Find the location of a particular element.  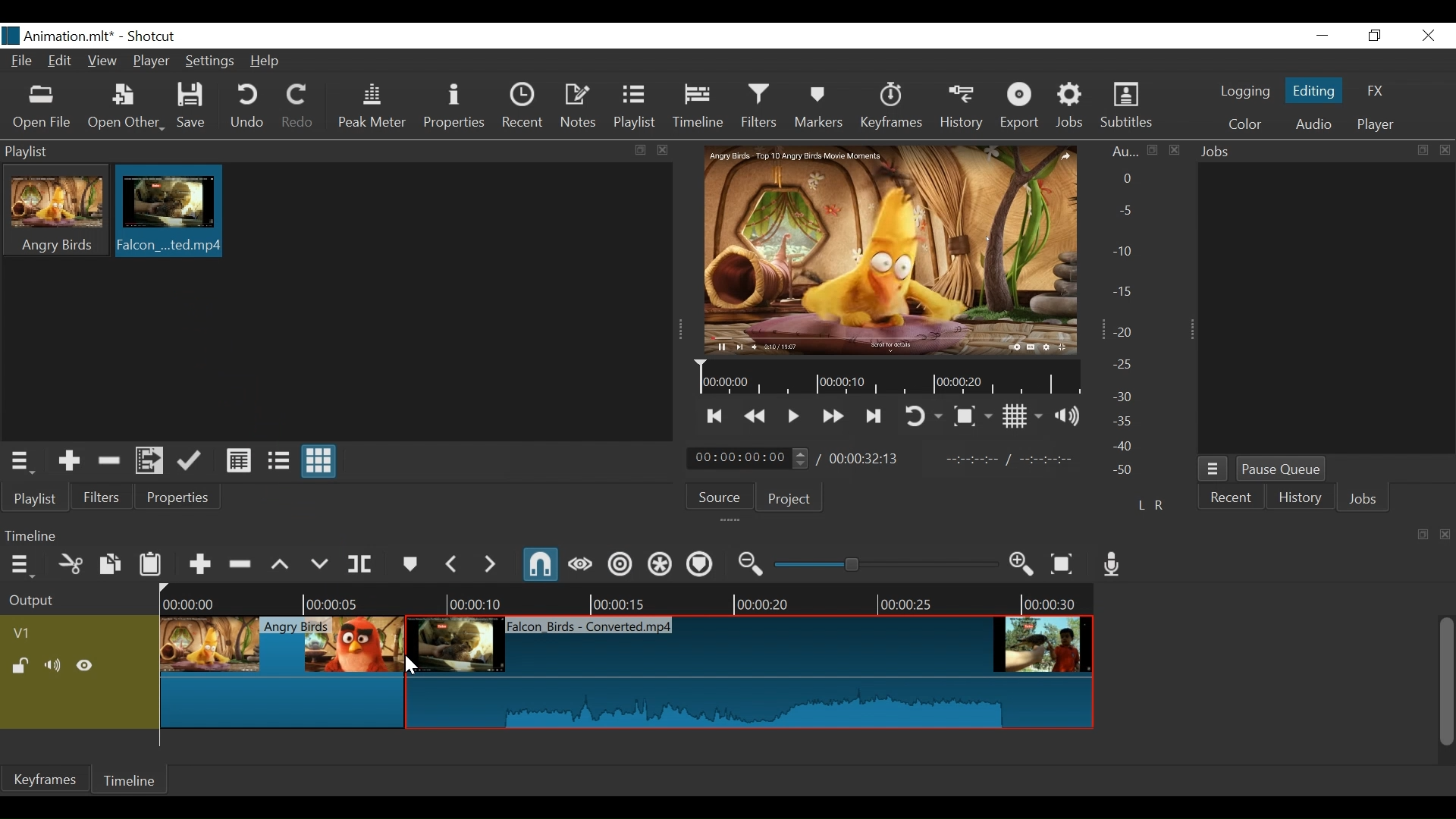

Skip to the next point is located at coordinates (875, 418).